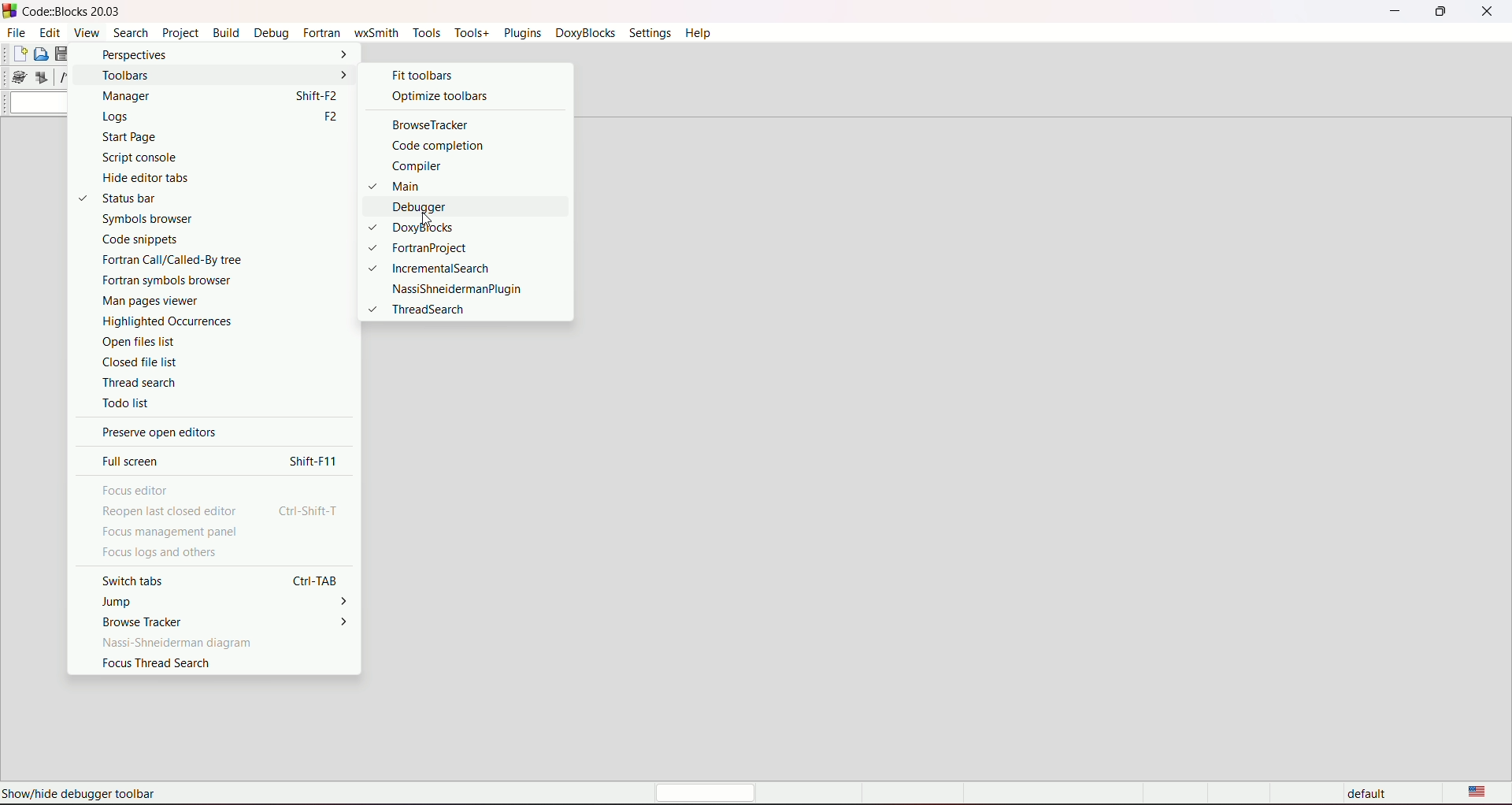  Describe the element at coordinates (197, 239) in the screenshot. I see `code snippets` at that location.